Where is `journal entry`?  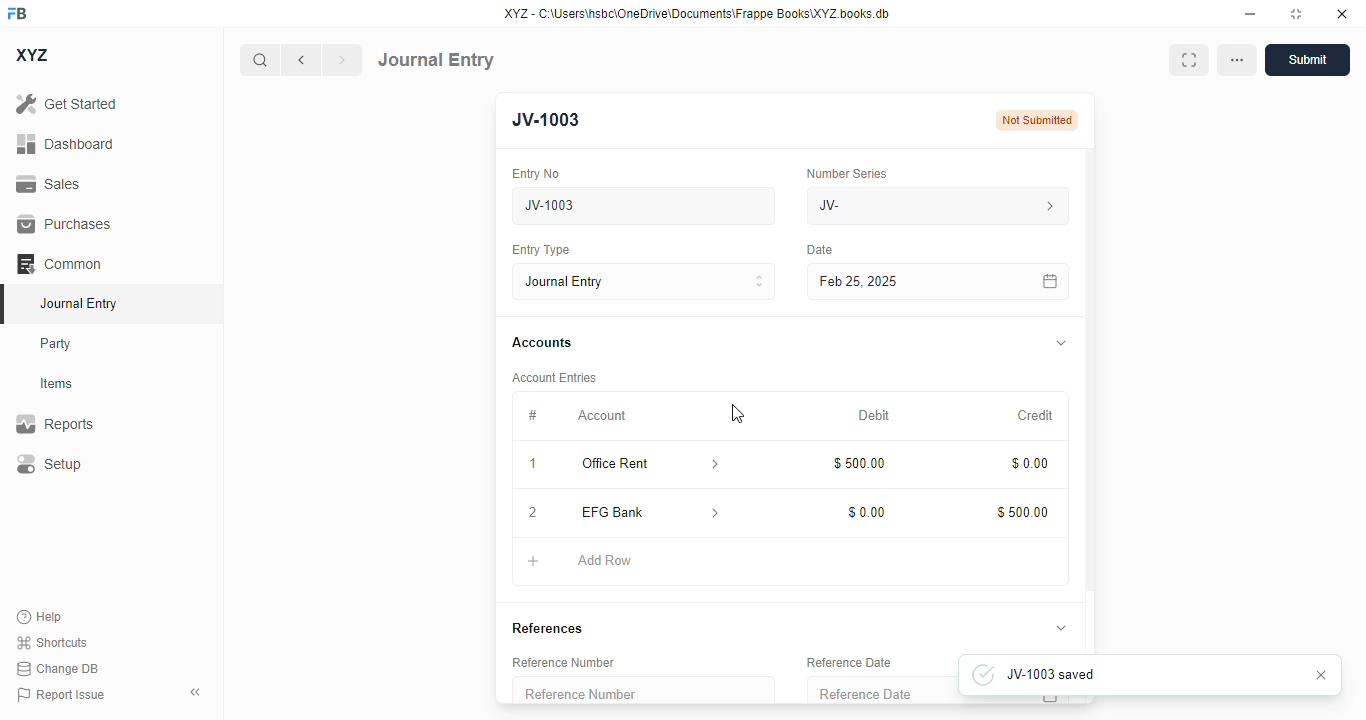
journal entry is located at coordinates (77, 303).